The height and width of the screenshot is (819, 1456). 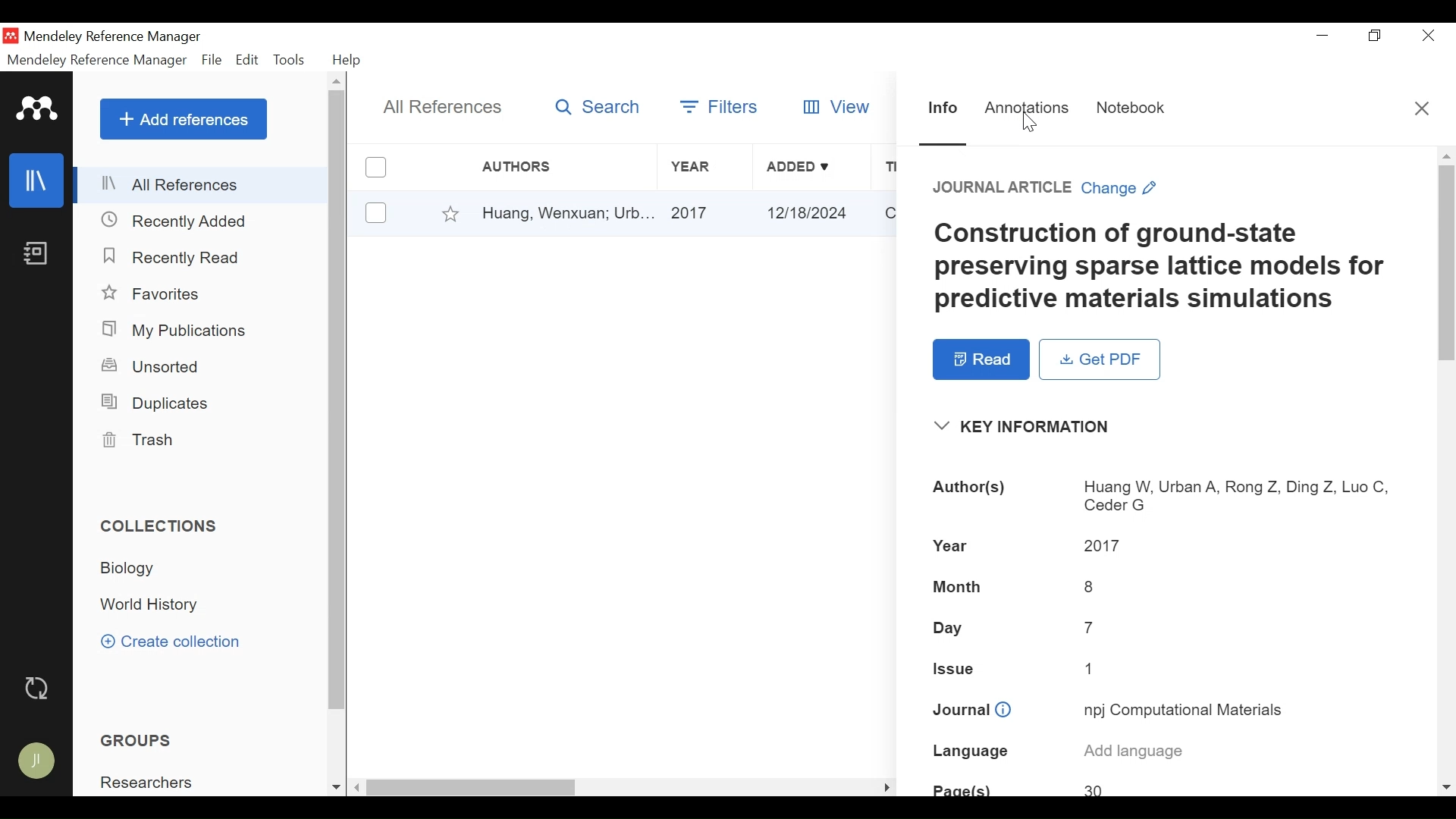 What do you see at coordinates (1447, 786) in the screenshot?
I see `Scroll down` at bounding box center [1447, 786].